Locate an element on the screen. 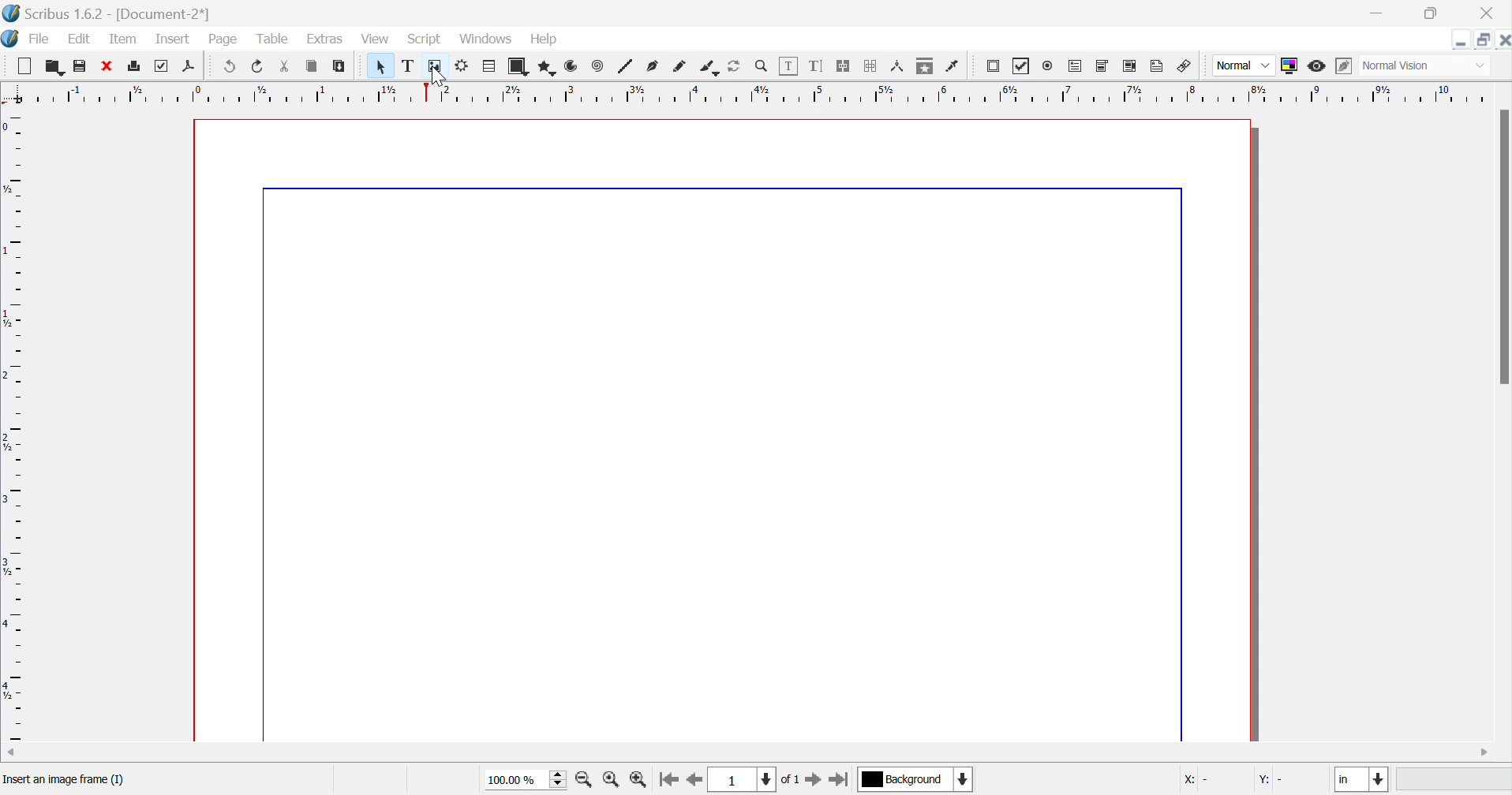 The height and width of the screenshot is (795, 1512). redo is located at coordinates (258, 66).